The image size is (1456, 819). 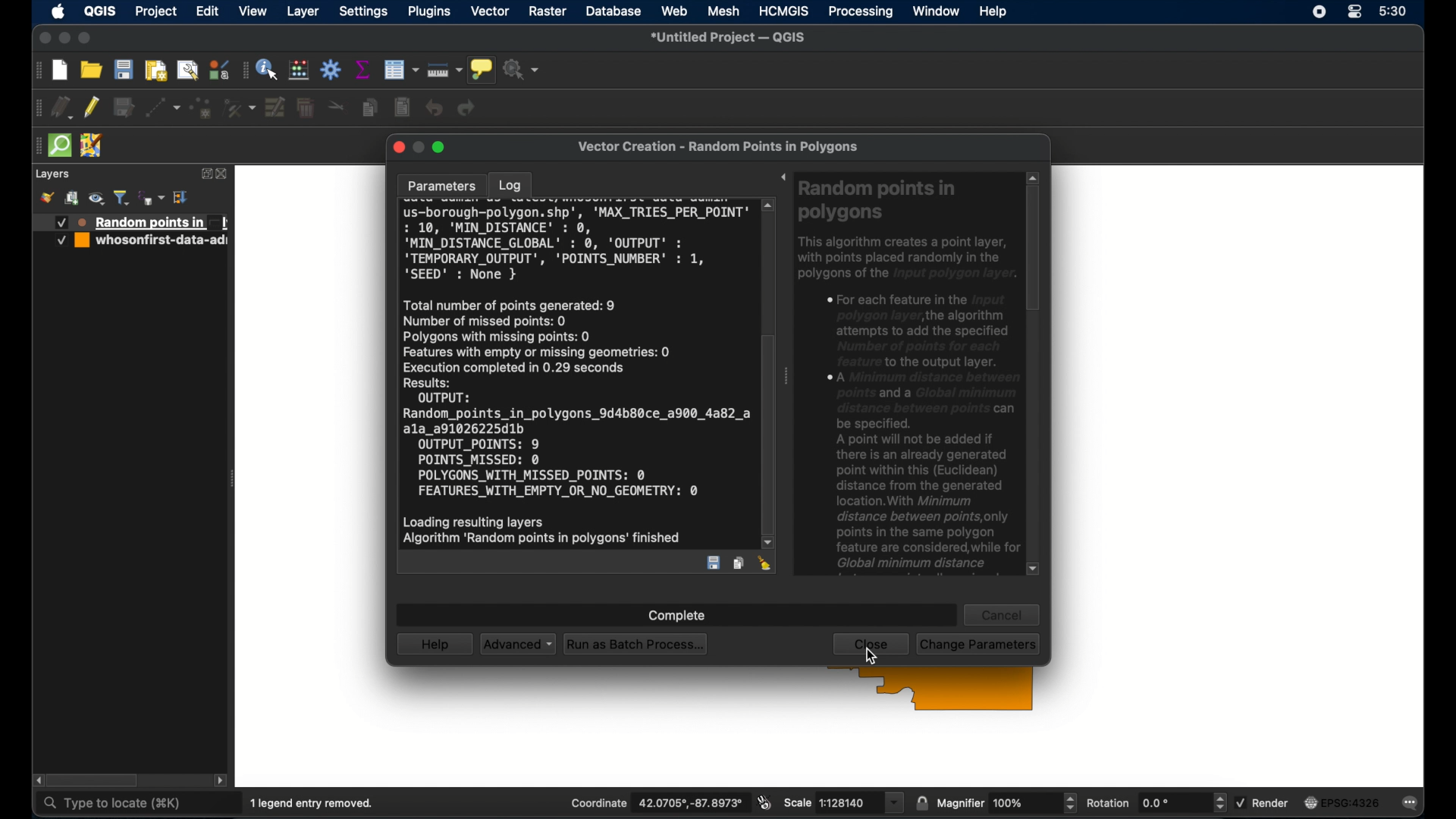 I want to click on modify attributes, so click(x=275, y=106).